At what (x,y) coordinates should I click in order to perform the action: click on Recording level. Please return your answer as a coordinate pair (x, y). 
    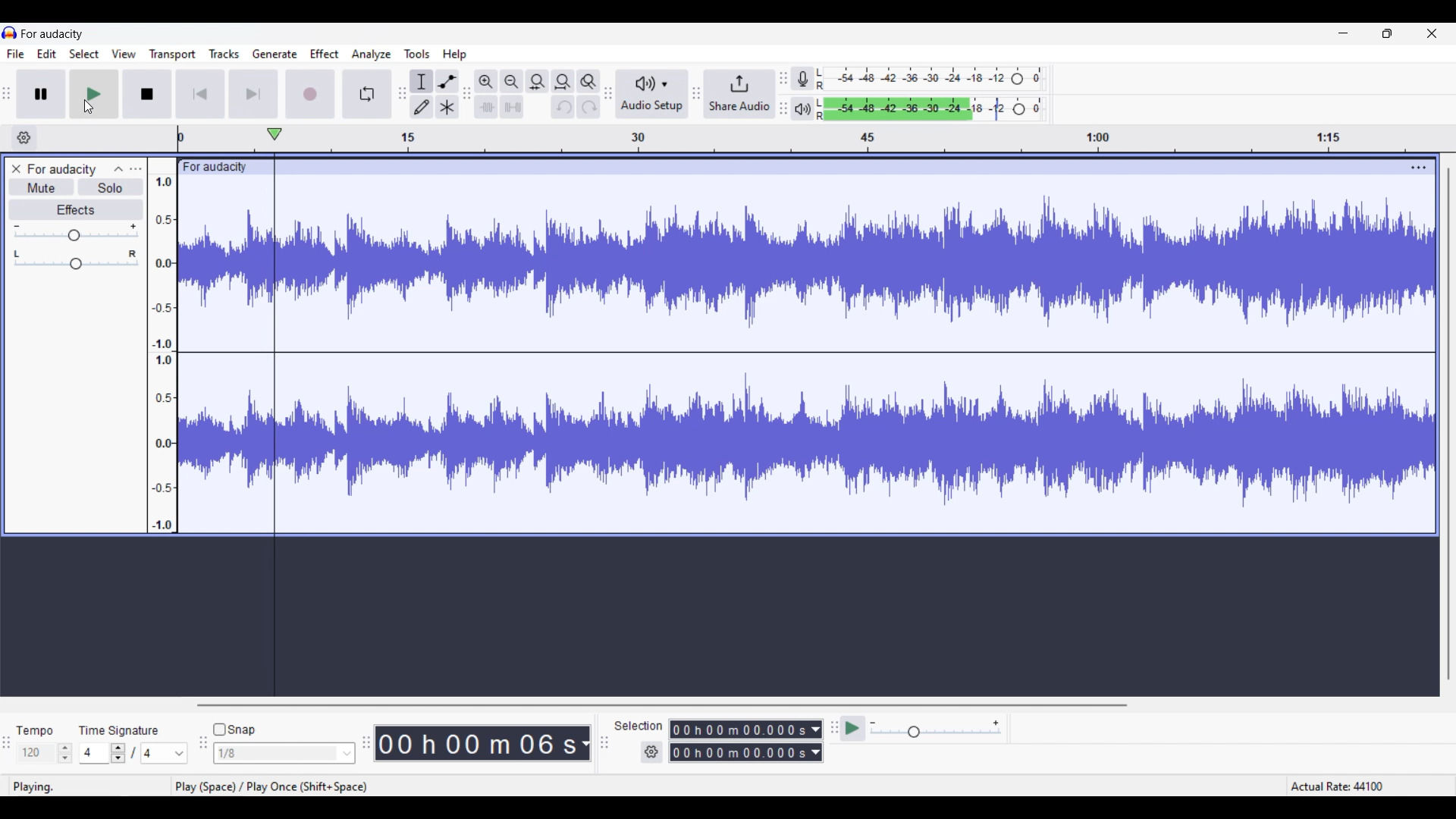
    Looking at the image, I should click on (930, 79).